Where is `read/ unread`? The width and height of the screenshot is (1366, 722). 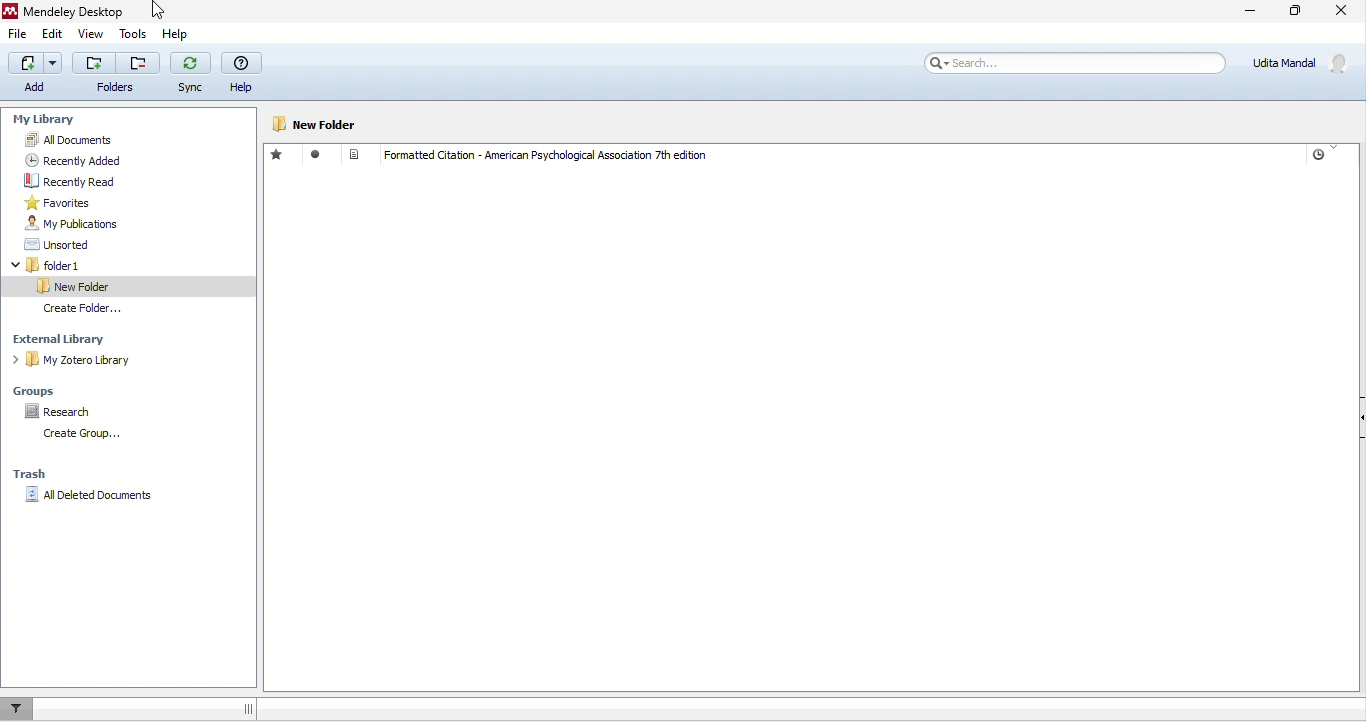 read/ unread is located at coordinates (318, 157).